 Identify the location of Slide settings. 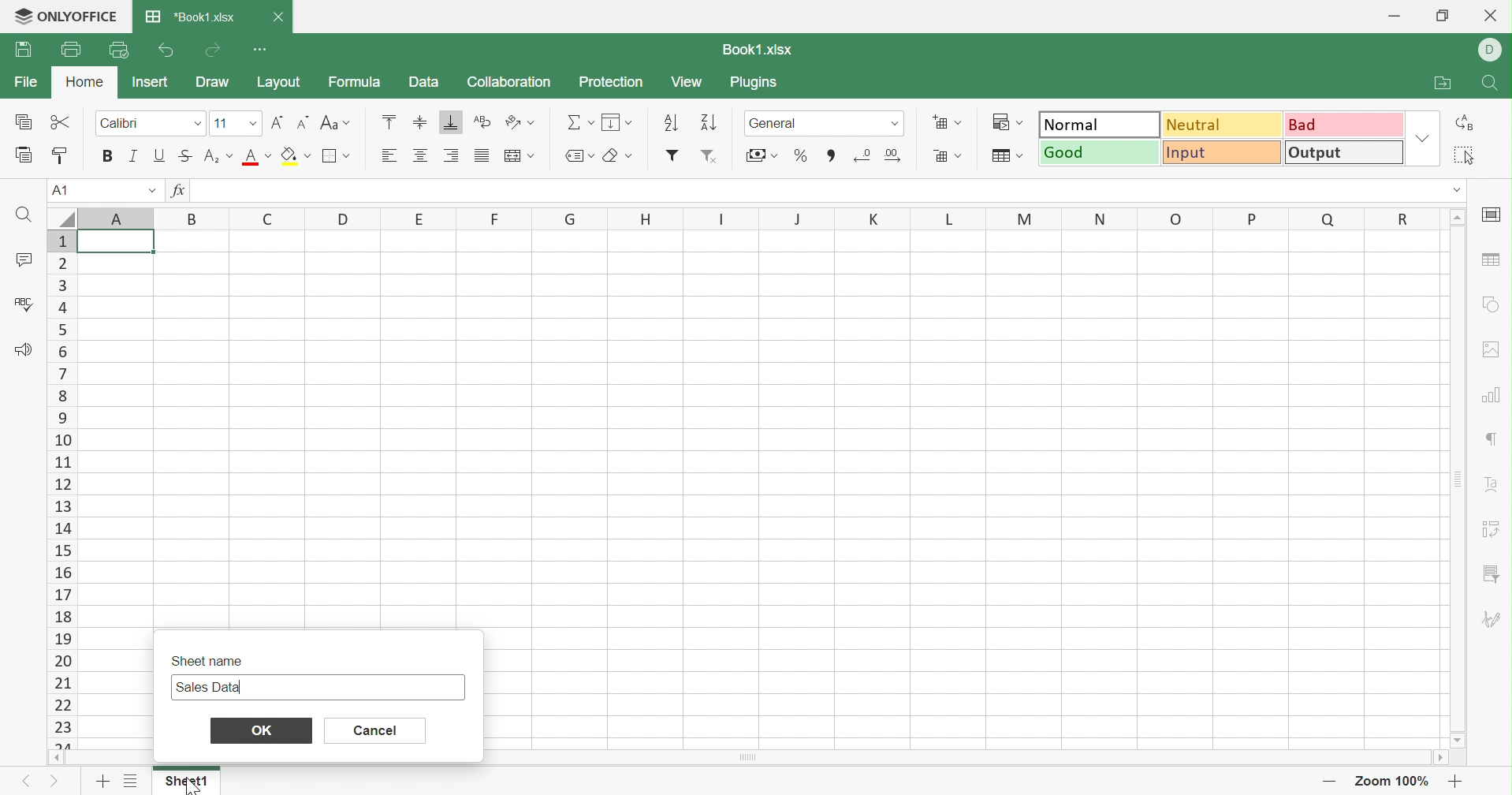
(1494, 214).